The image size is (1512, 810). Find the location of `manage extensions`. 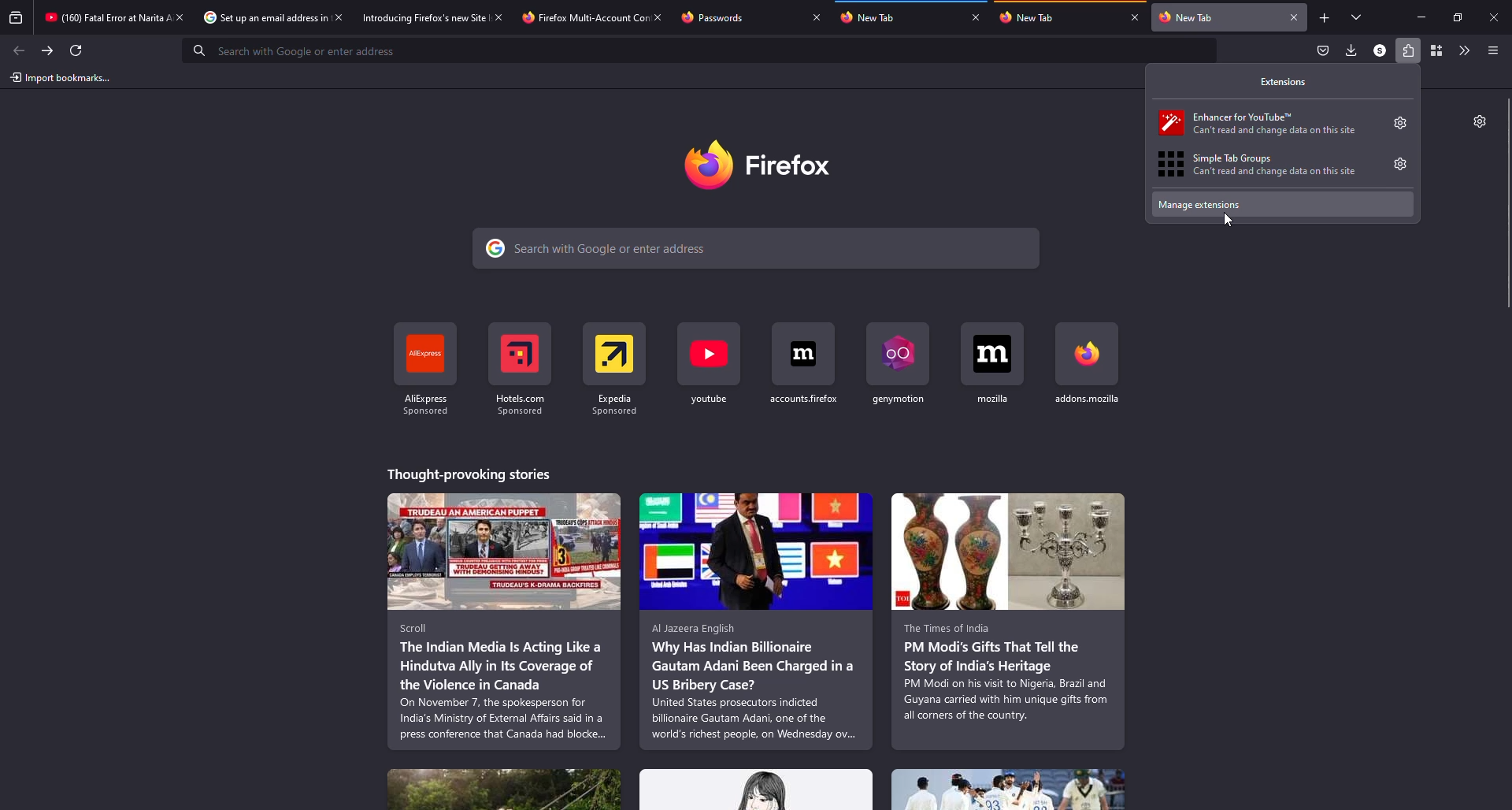

manage extensions is located at coordinates (1283, 205).